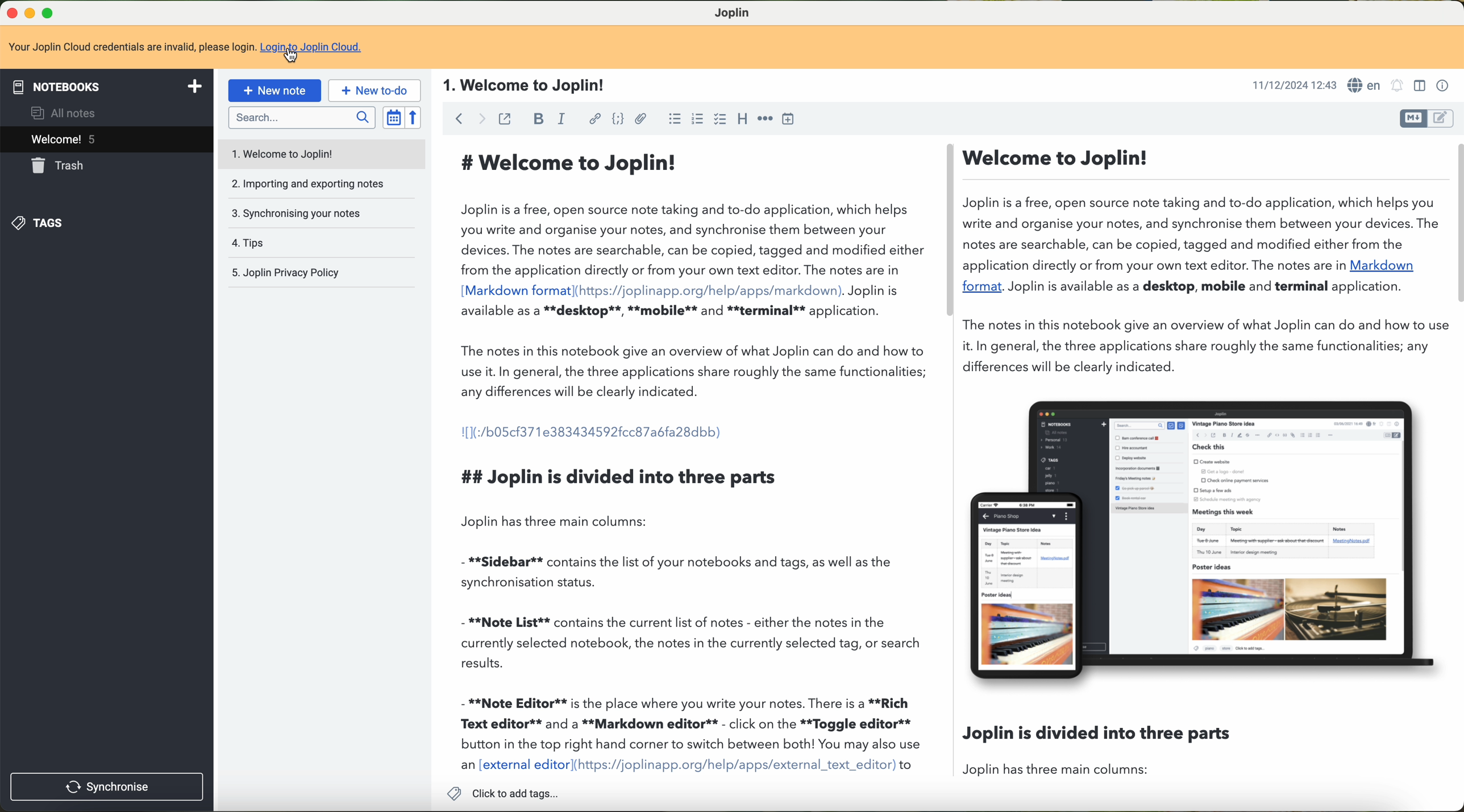  I want to click on scroll bar, so click(951, 231).